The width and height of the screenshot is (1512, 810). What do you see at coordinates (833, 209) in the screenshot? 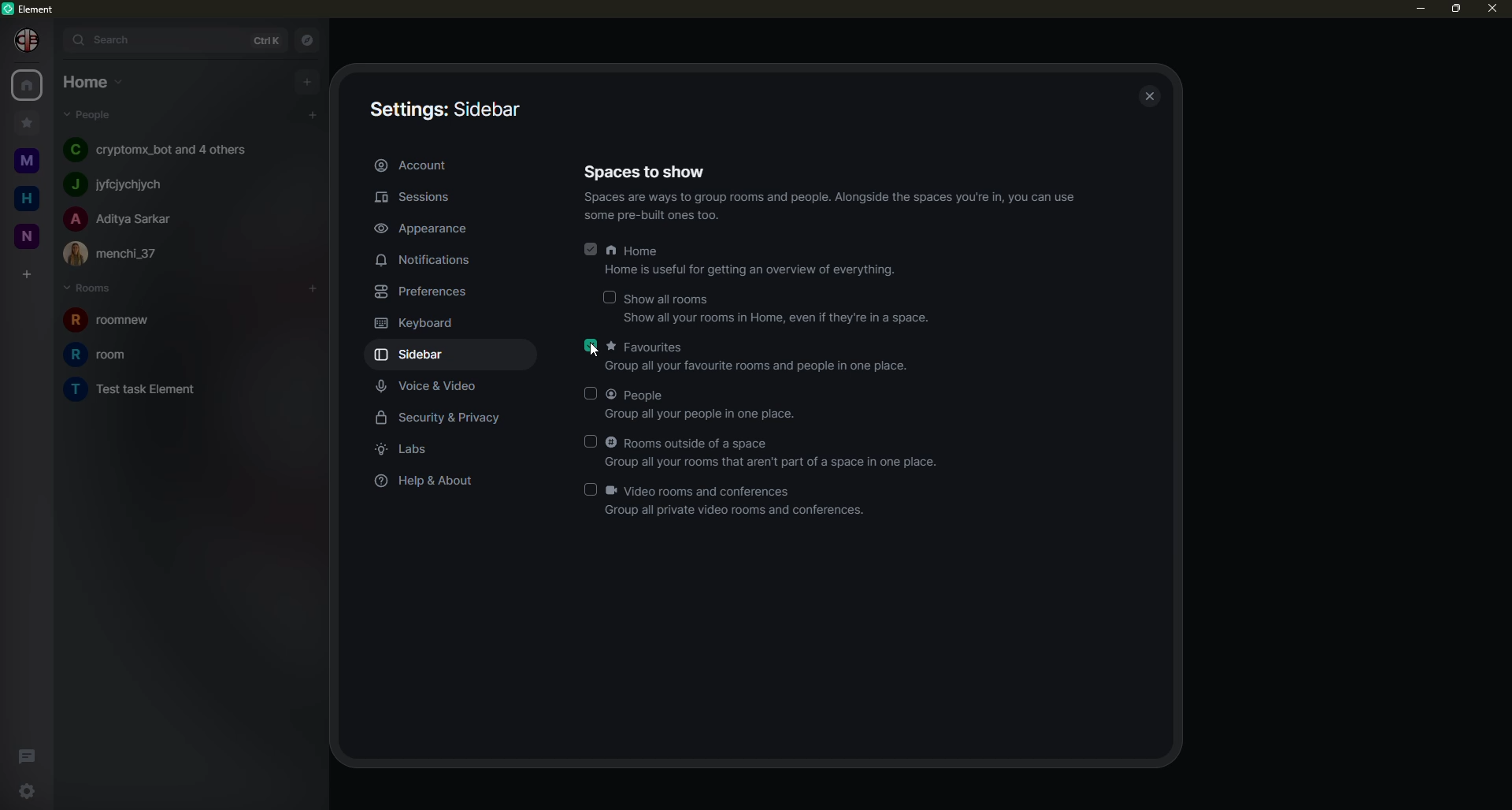
I see `info` at bounding box center [833, 209].